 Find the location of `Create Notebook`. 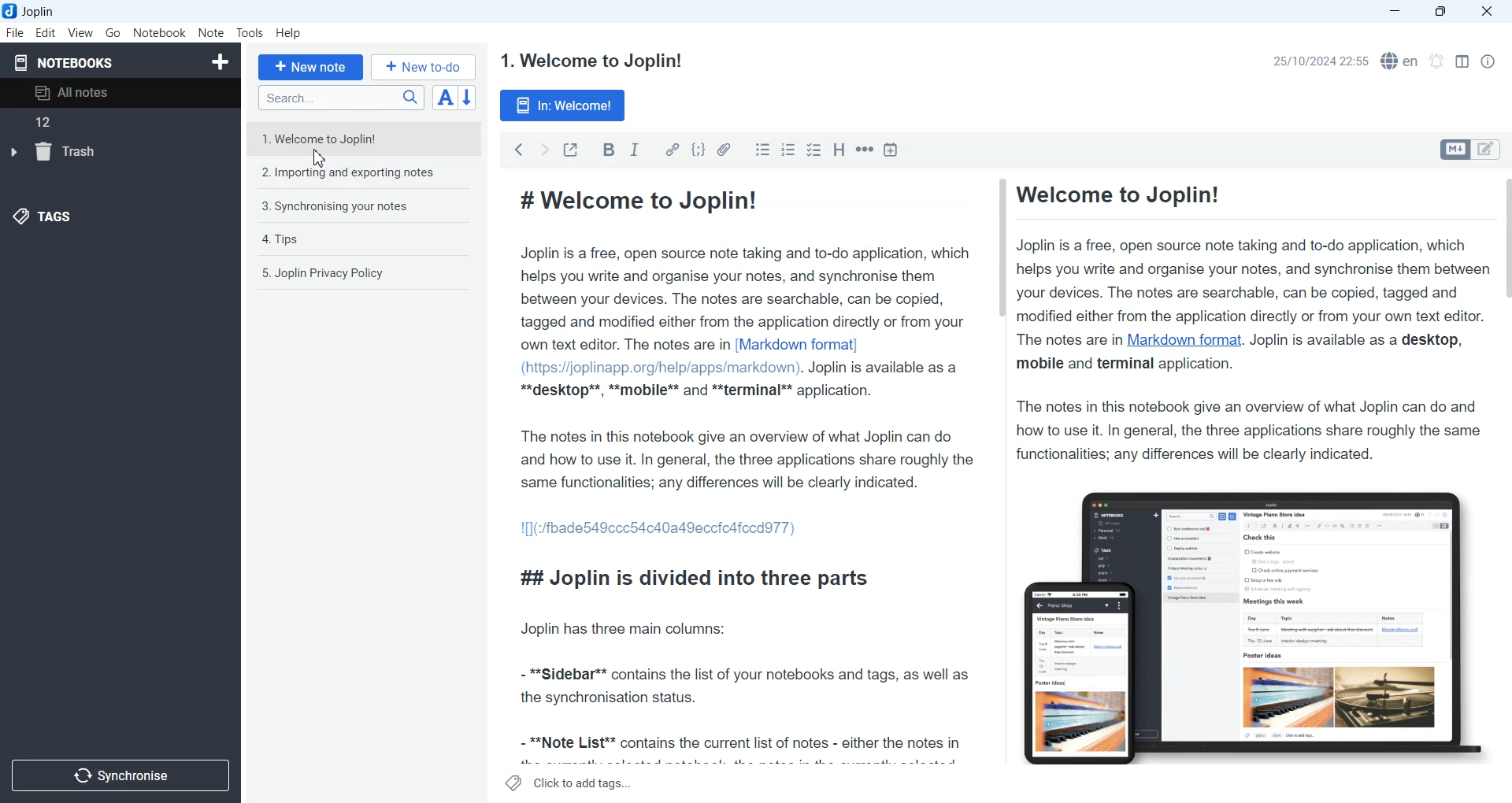

Create Notebook is located at coordinates (221, 60).